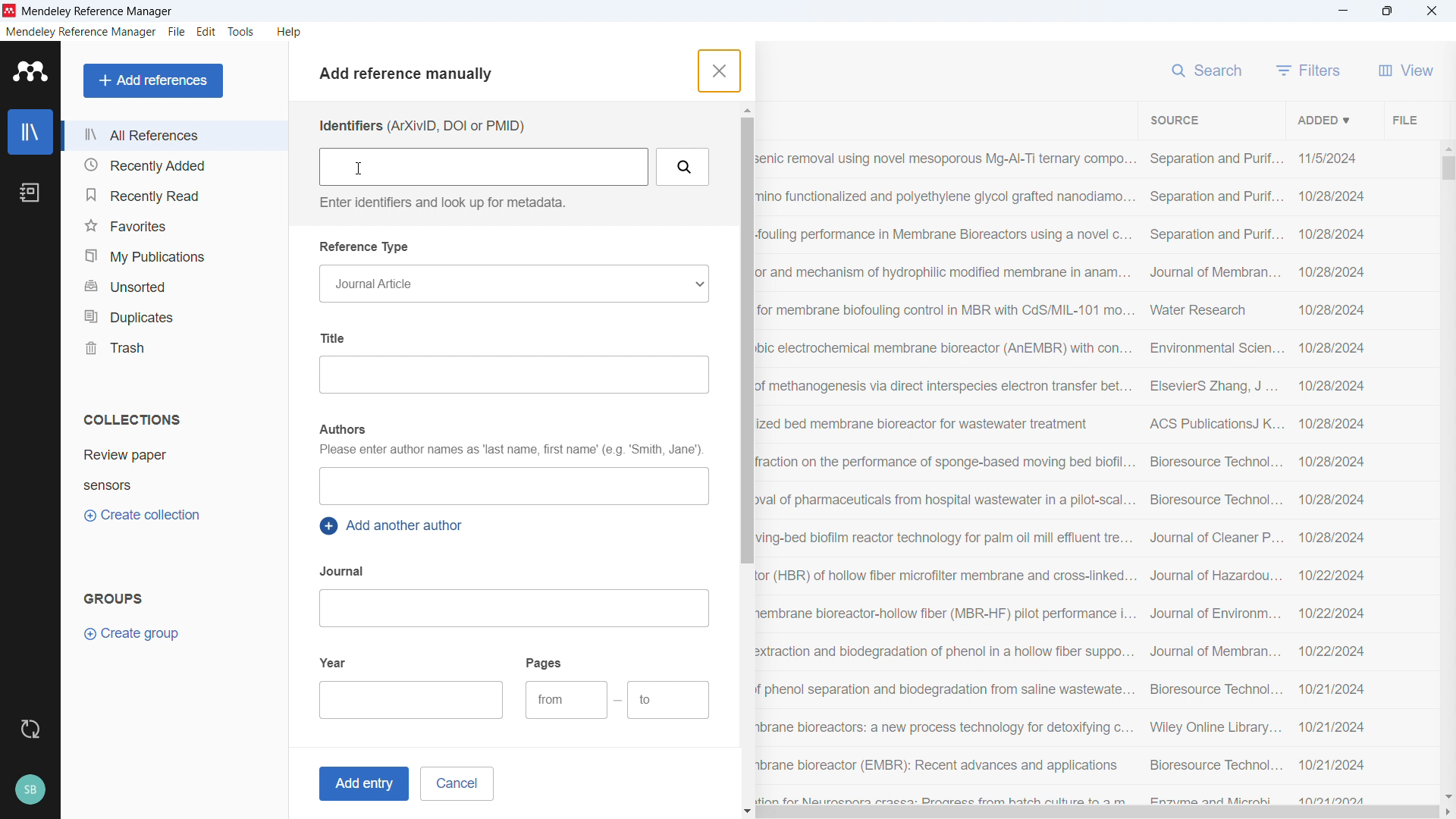 This screenshot has height=819, width=1456. I want to click on Sort by date added , so click(1322, 119).